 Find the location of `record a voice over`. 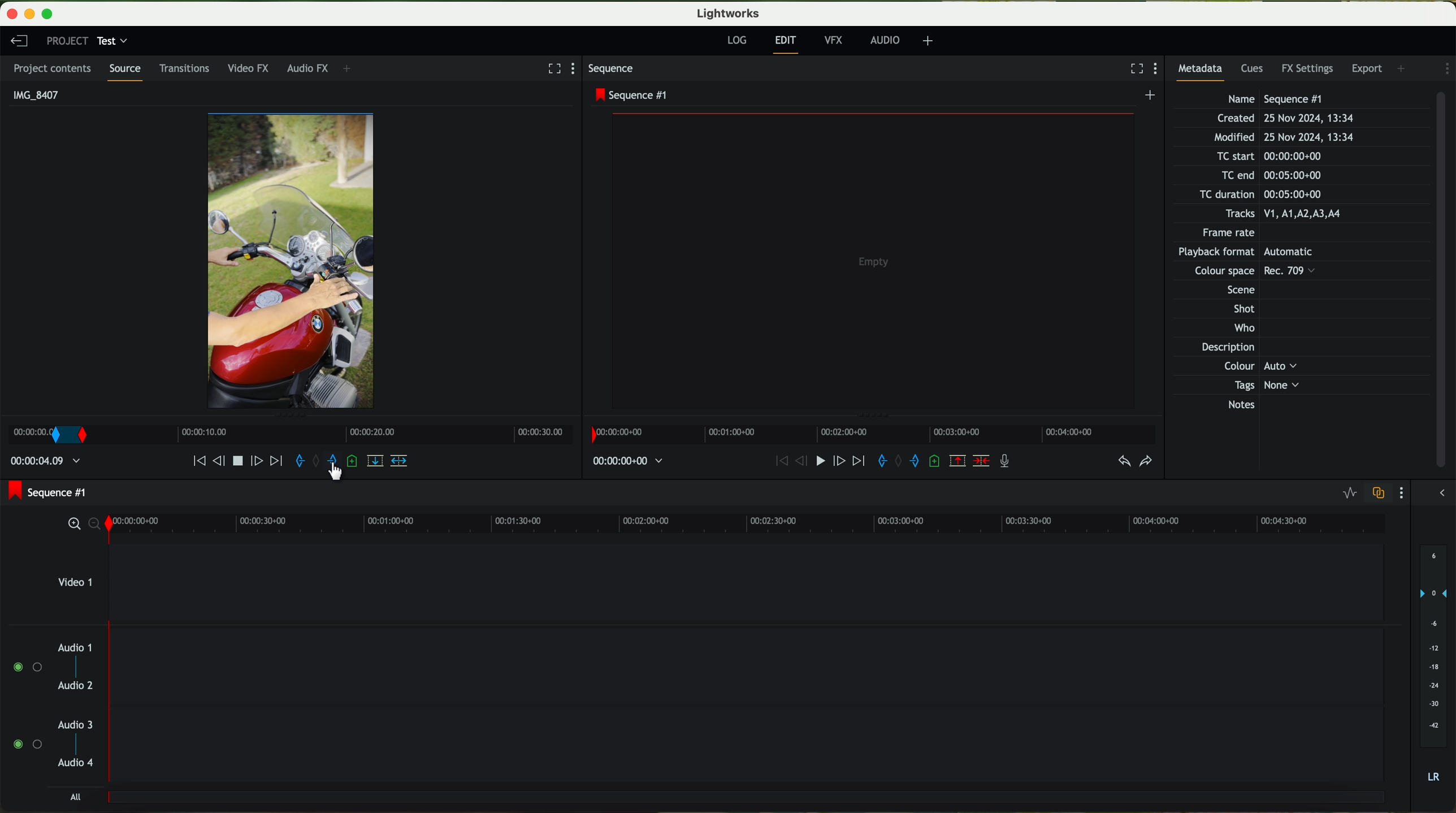

record a voice over is located at coordinates (1006, 460).